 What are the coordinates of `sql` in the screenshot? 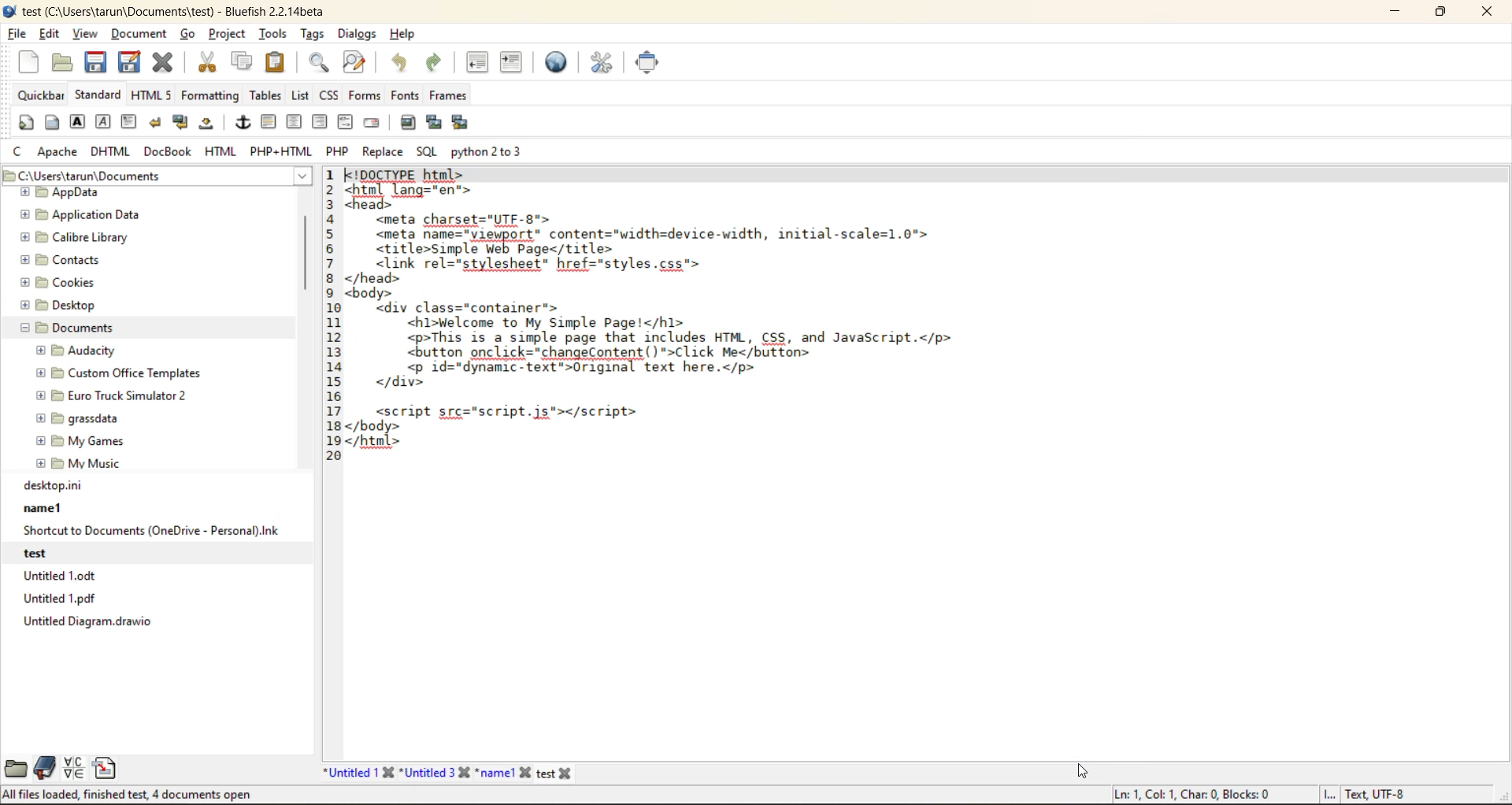 It's located at (425, 150).